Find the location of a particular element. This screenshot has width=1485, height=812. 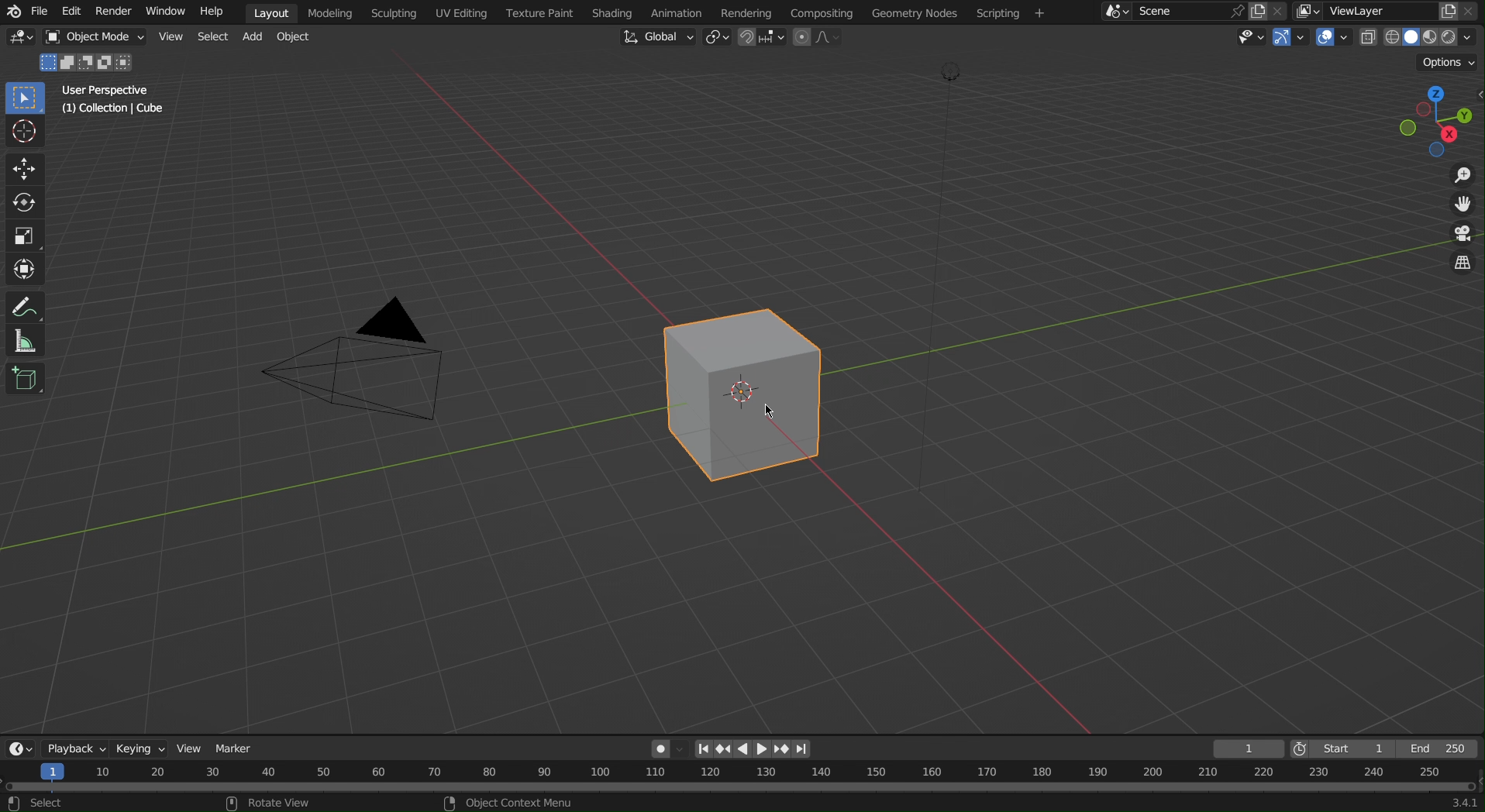

Rotate is located at coordinates (24, 205).